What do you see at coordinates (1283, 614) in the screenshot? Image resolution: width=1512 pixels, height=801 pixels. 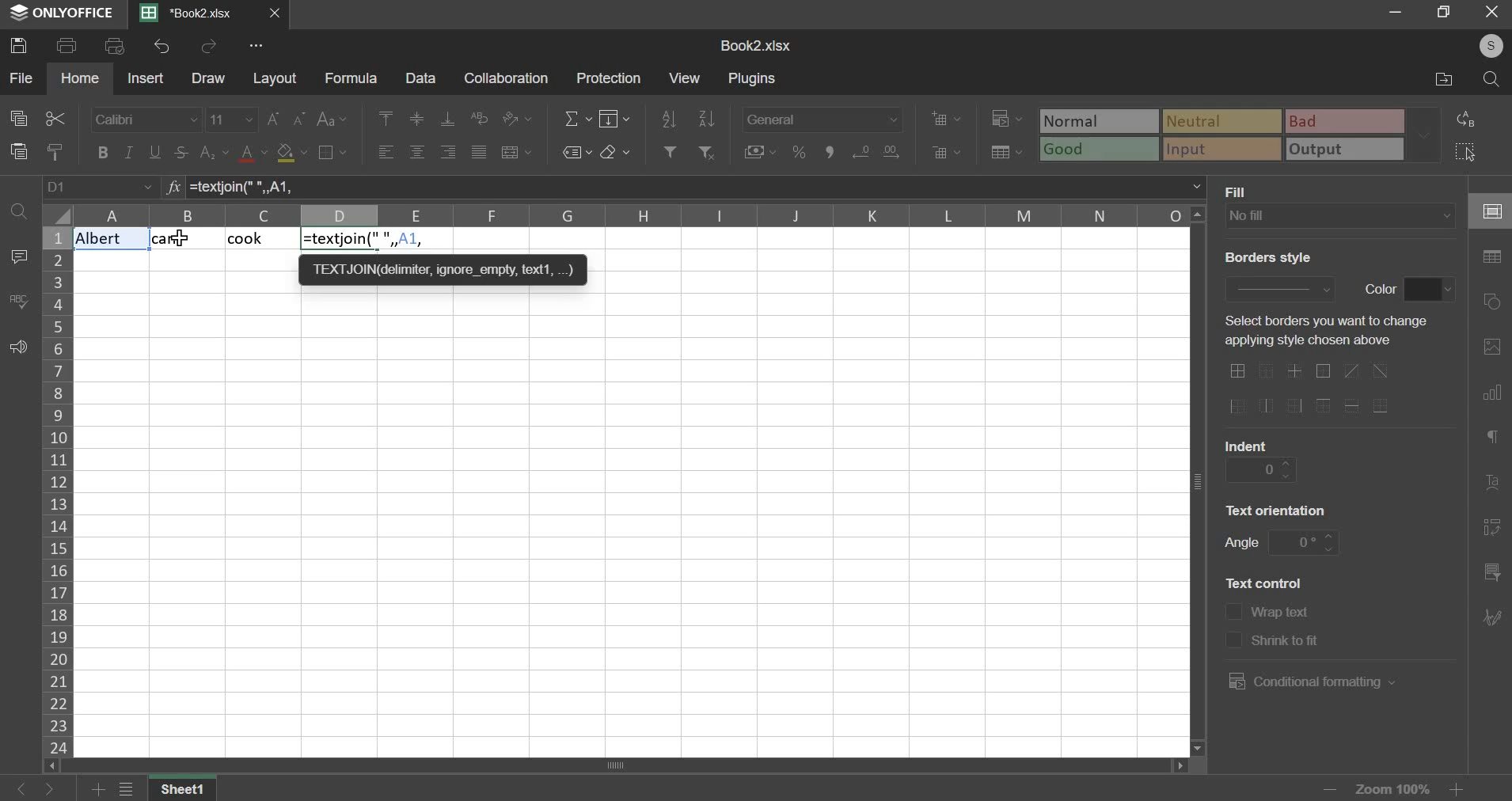 I see `text` at bounding box center [1283, 614].